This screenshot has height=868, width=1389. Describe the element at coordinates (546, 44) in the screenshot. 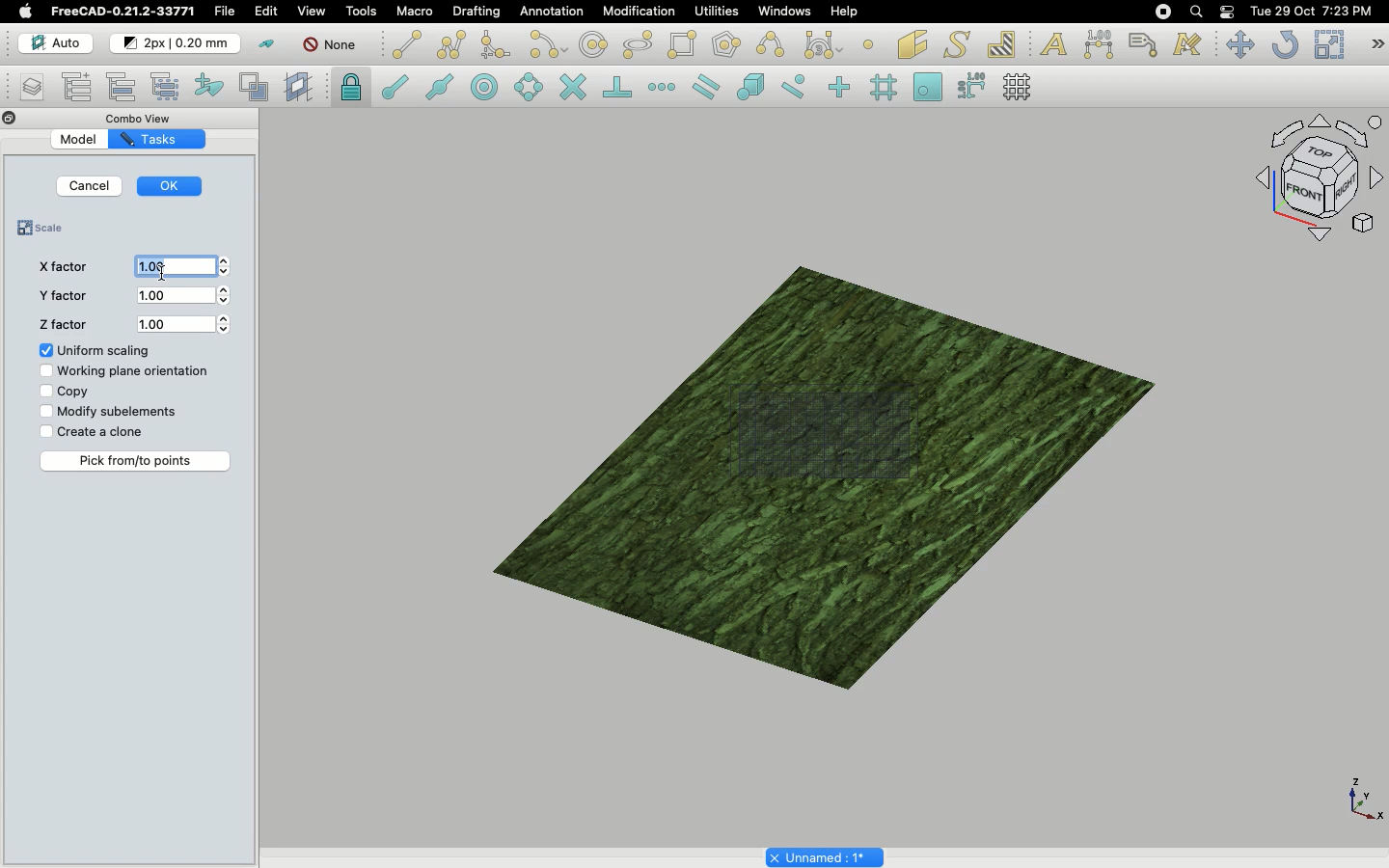

I see `Arc tools` at that location.